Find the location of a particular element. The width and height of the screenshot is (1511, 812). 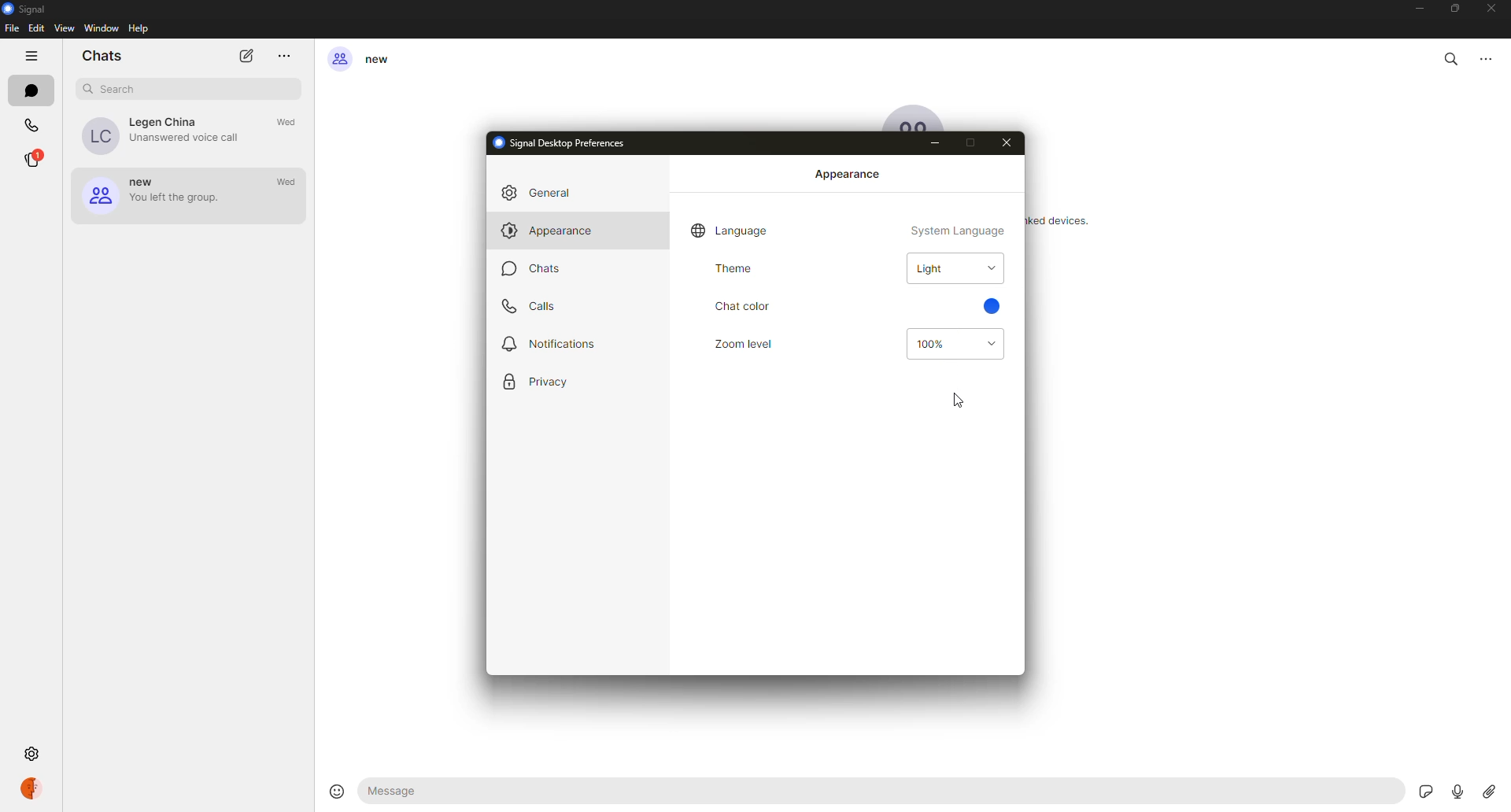

view is located at coordinates (66, 29).